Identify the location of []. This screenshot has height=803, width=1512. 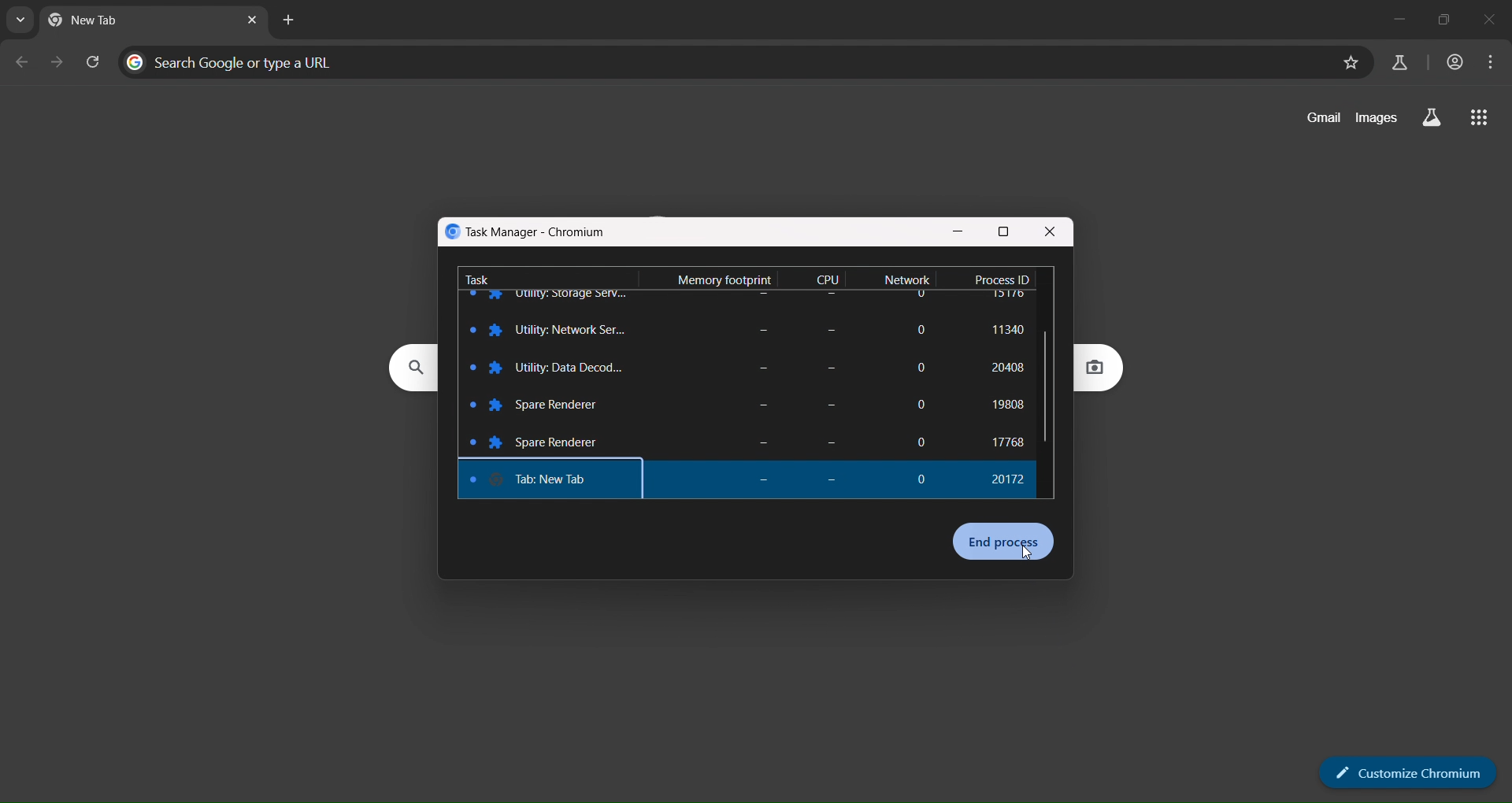
(918, 405).